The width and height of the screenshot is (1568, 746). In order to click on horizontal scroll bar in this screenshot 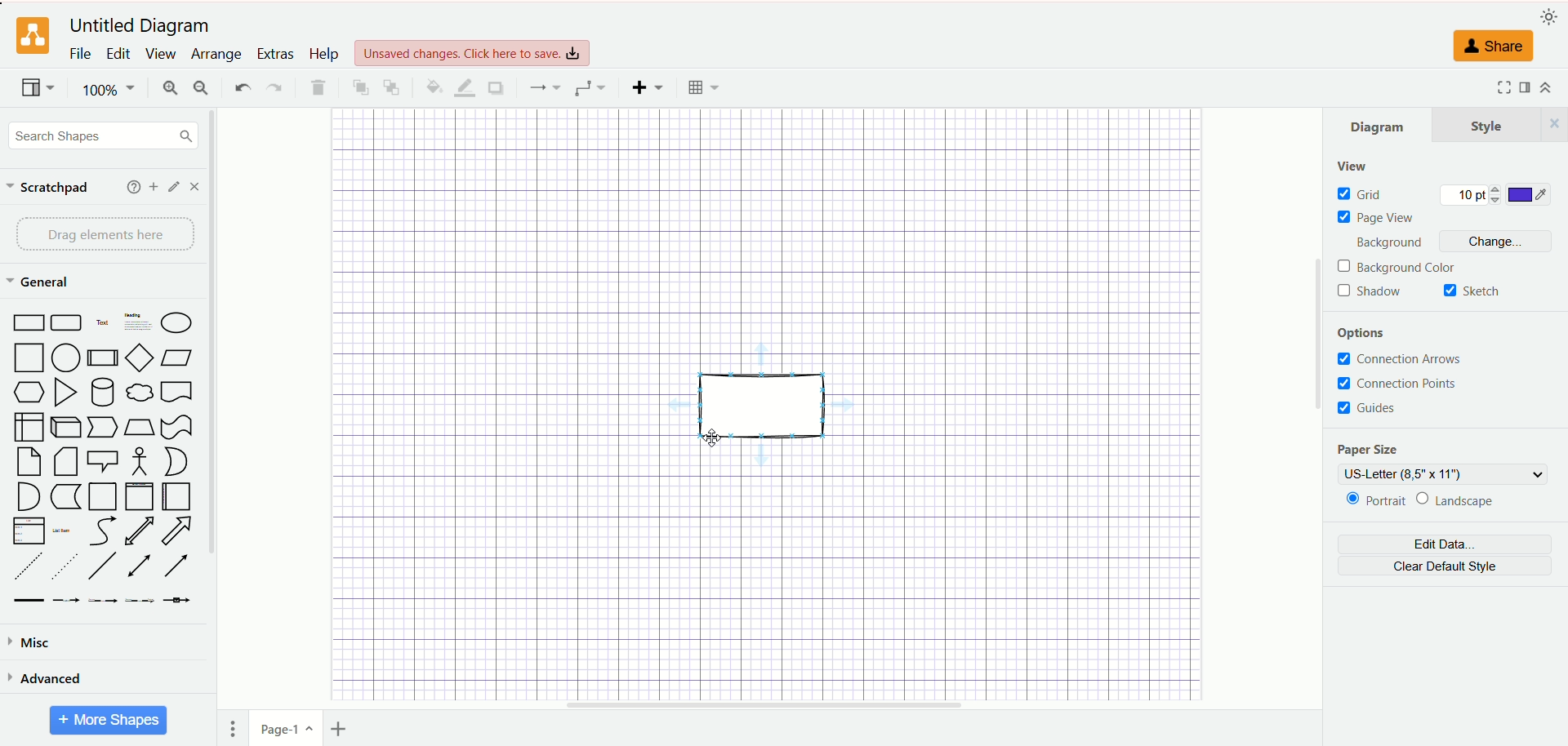, I will do `click(762, 707)`.